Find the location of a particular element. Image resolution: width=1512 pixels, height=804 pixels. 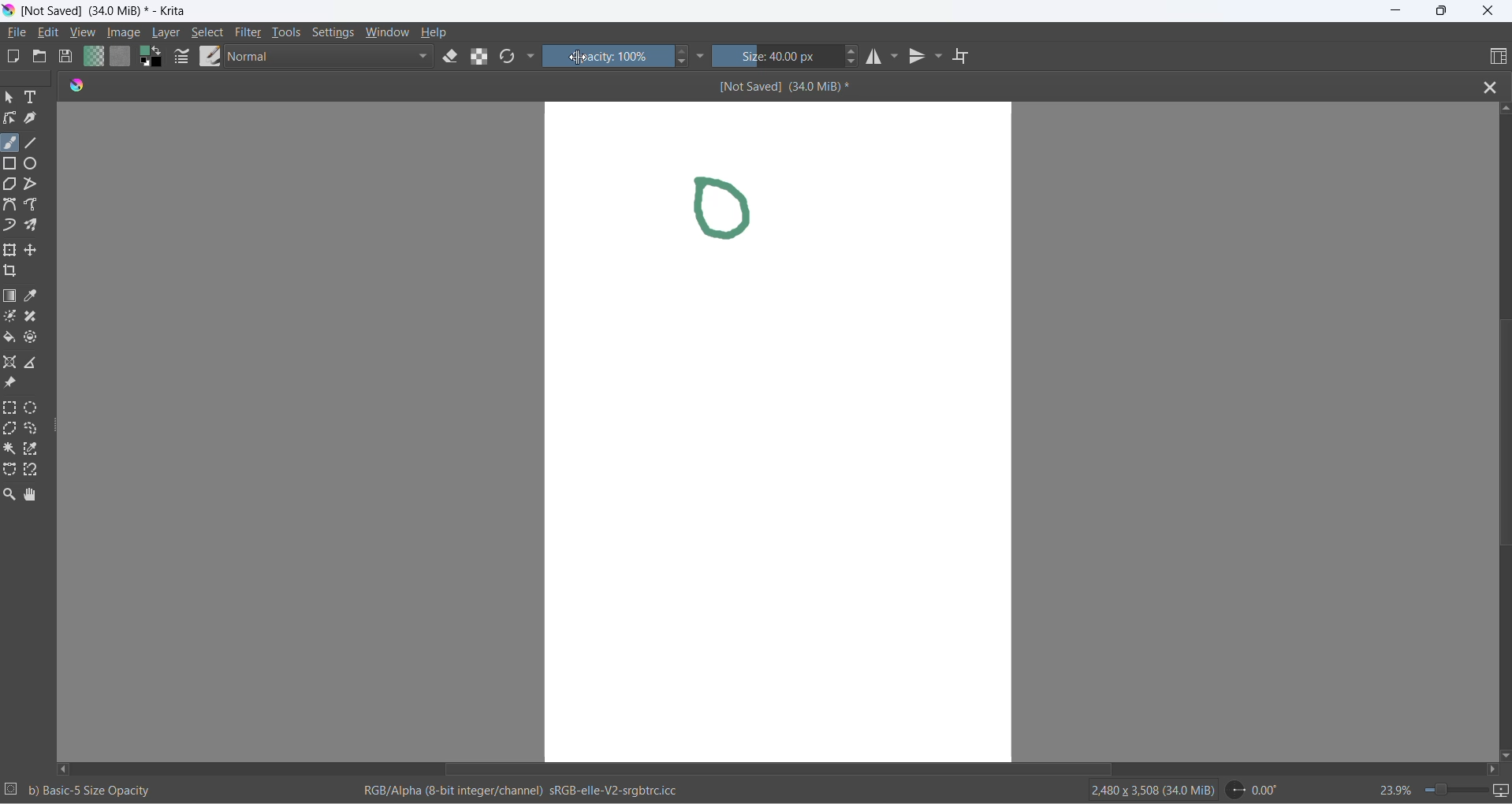

select is located at coordinates (210, 32).